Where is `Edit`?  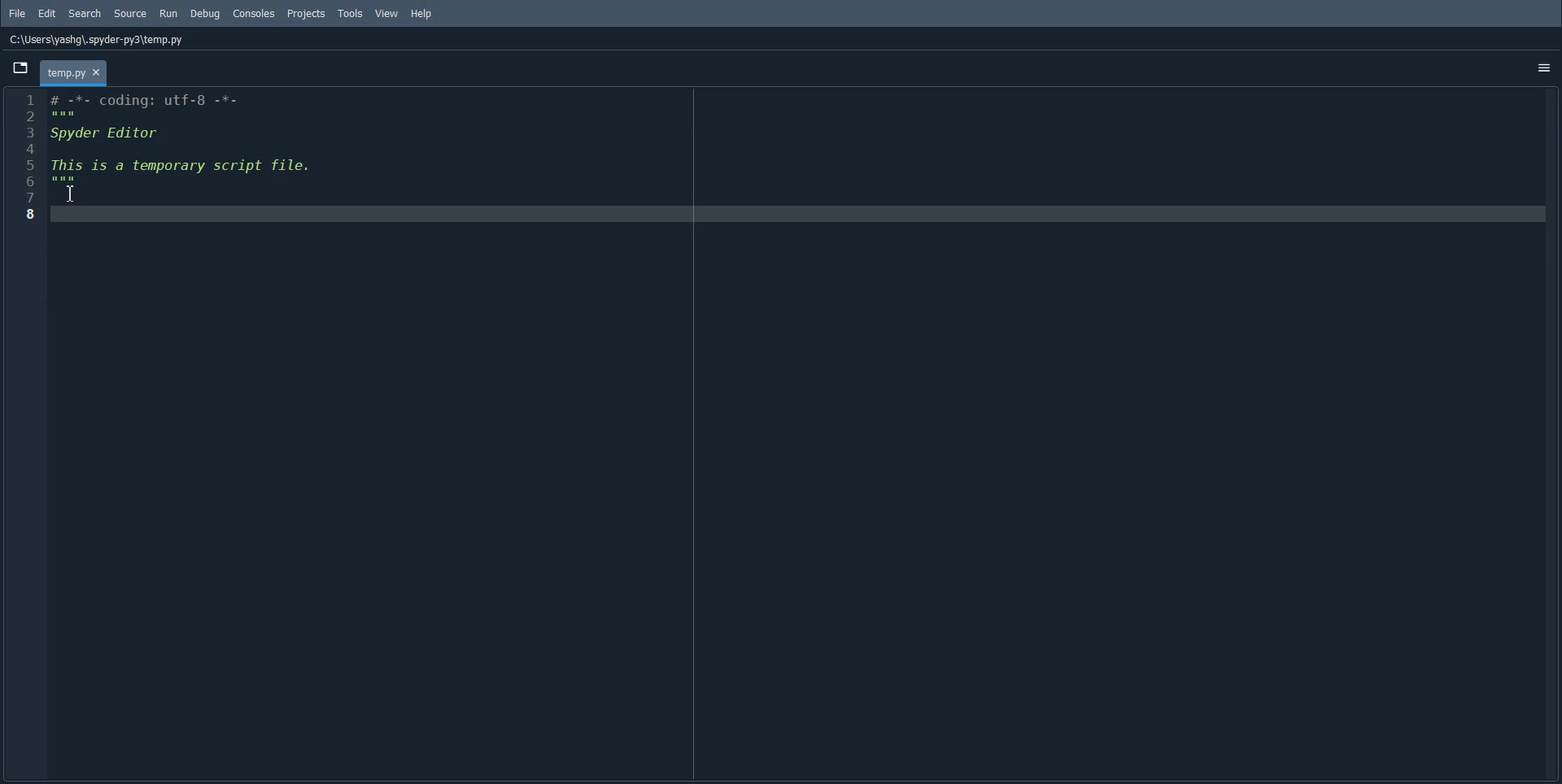
Edit is located at coordinates (47, 14).